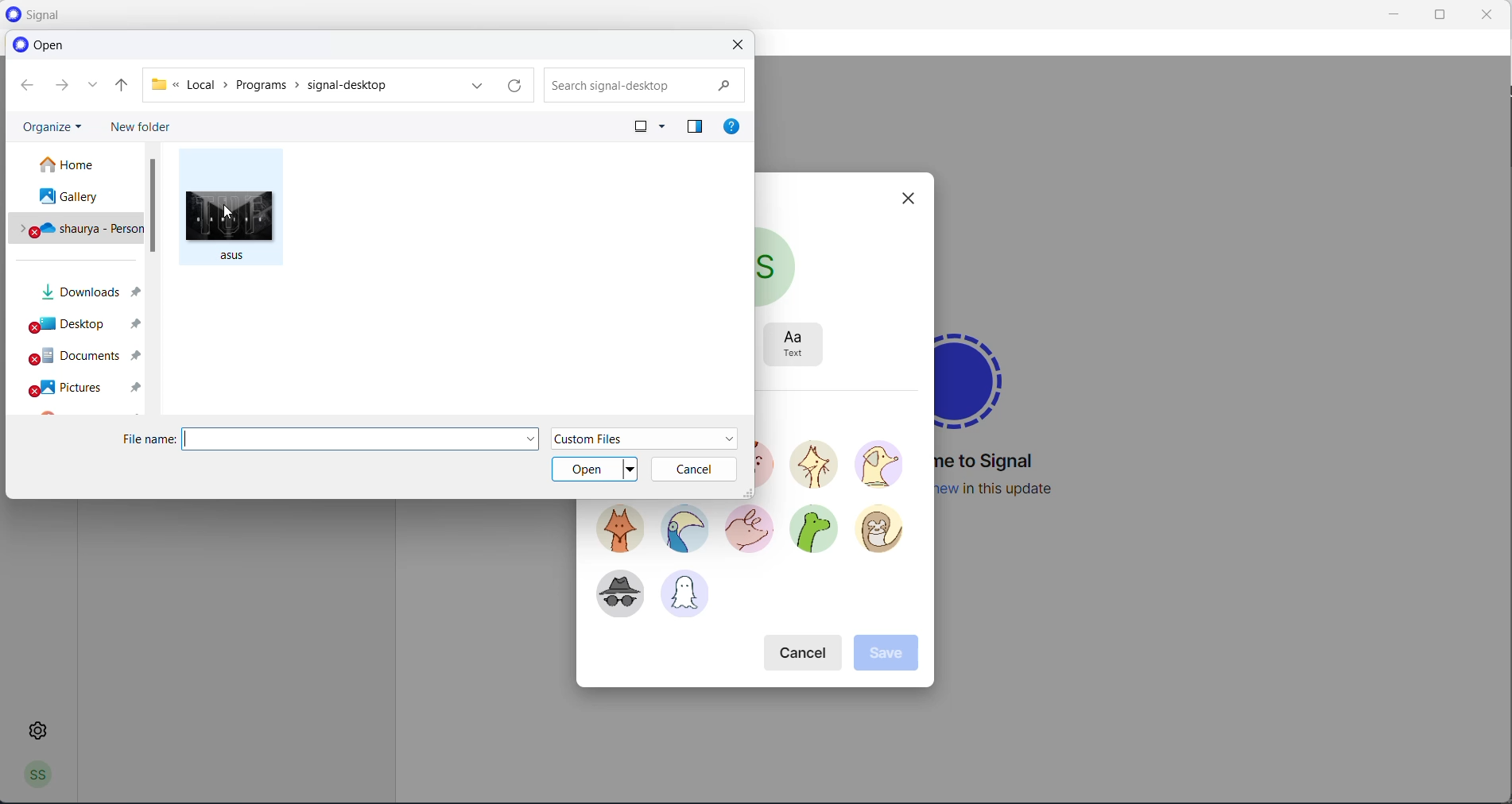 This screenshot has width=1512, height=804. Describe the element at coordinates (696, 126) in the screenshot. I see `preview pane` at that location.